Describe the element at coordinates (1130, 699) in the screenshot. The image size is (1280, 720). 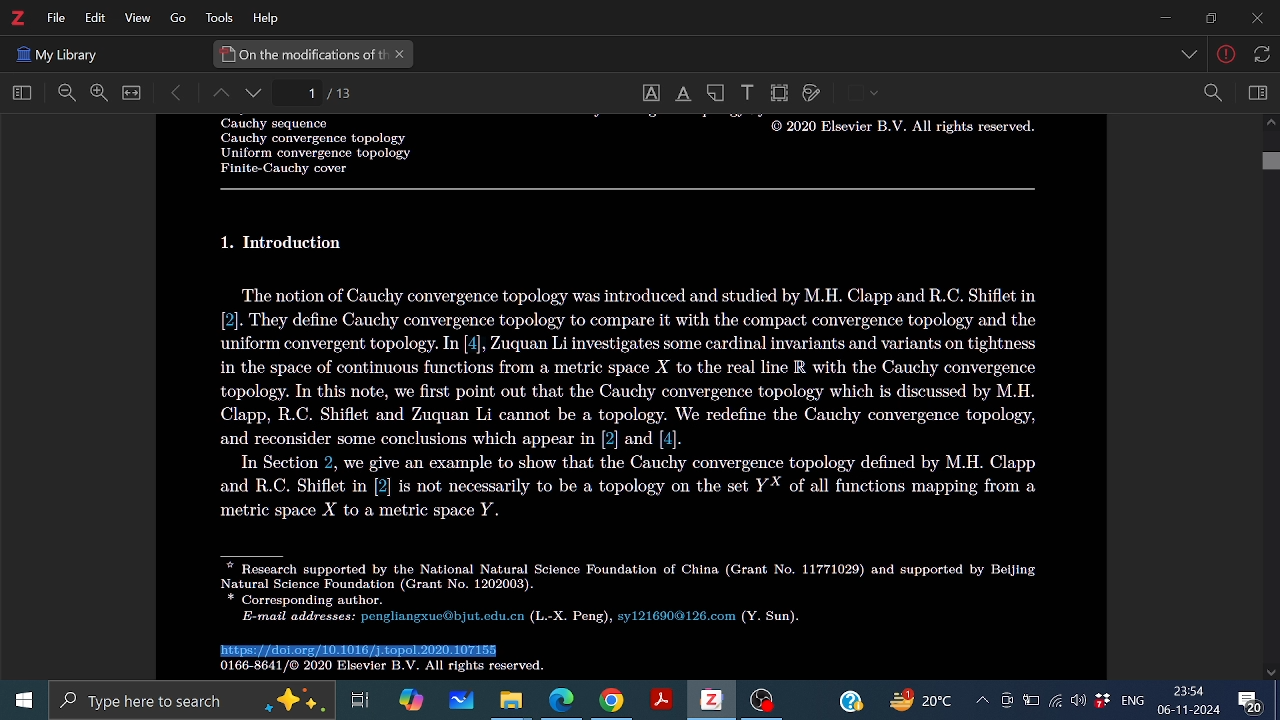
I see `language` at that location.